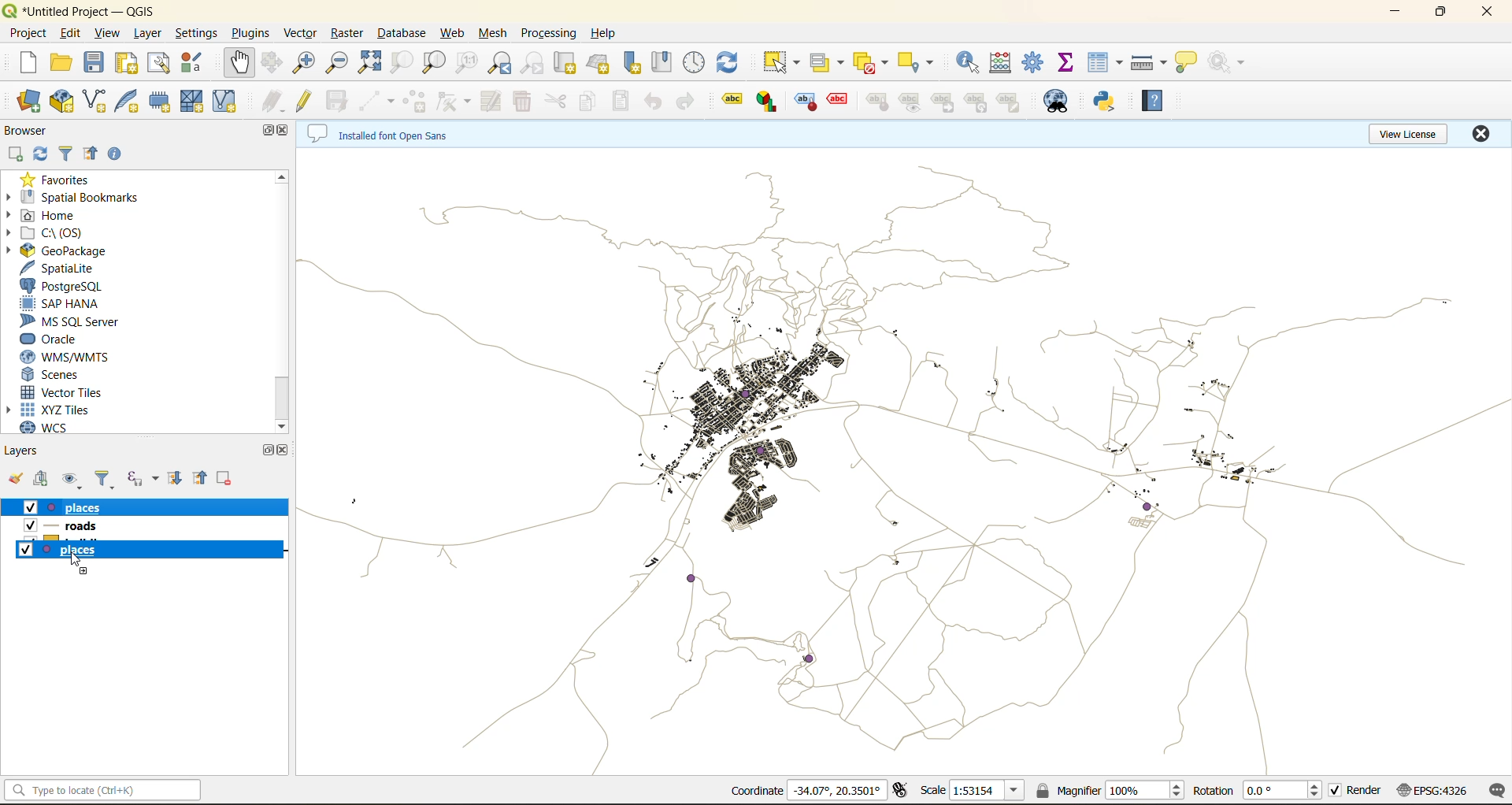 The image size is (1512, 805). Describe the element at coordinates (99, 531) in the screenshot. I see `roads` at that location.